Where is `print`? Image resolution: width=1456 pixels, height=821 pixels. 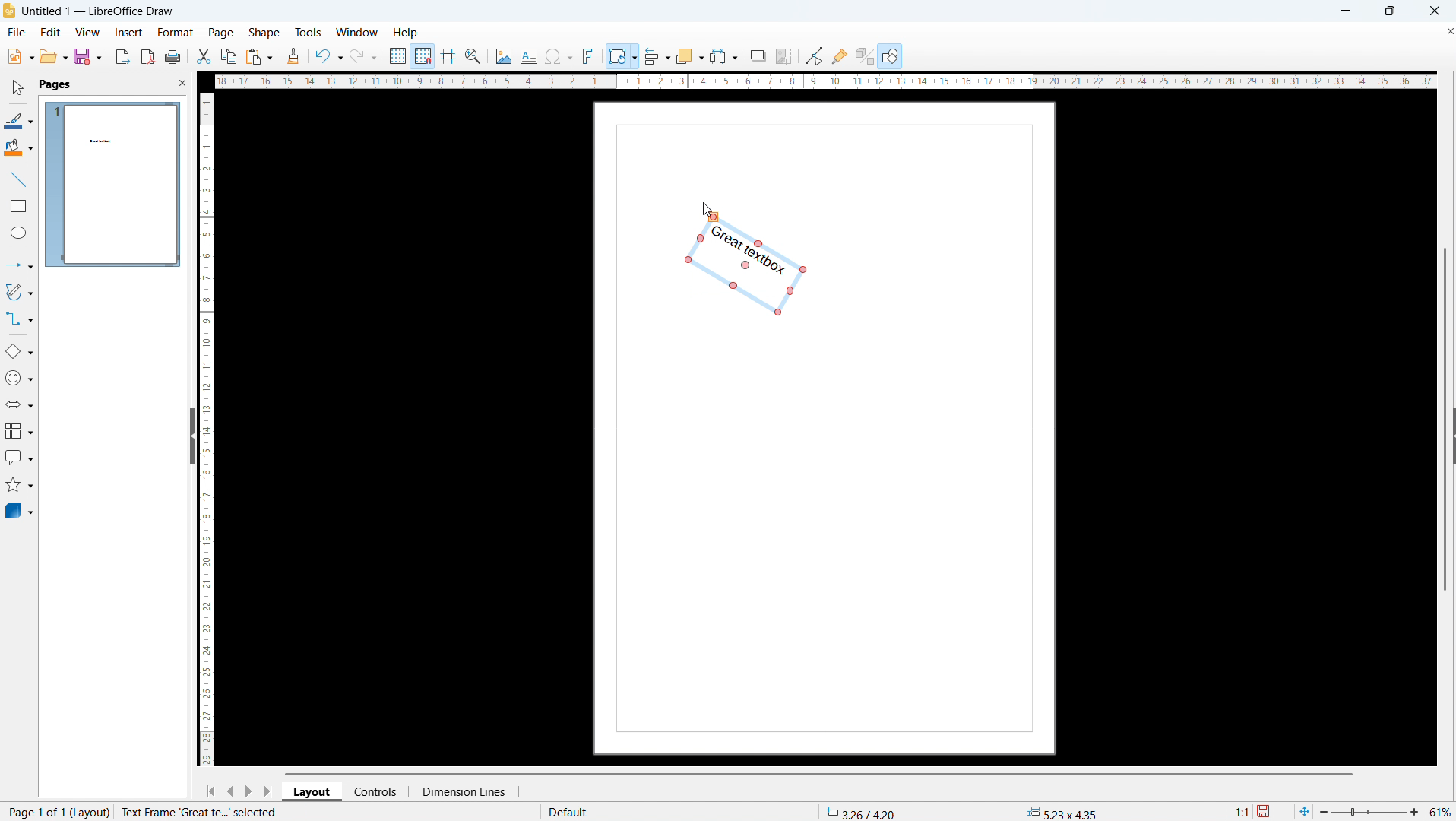 print is located at coordinates (173, 57).